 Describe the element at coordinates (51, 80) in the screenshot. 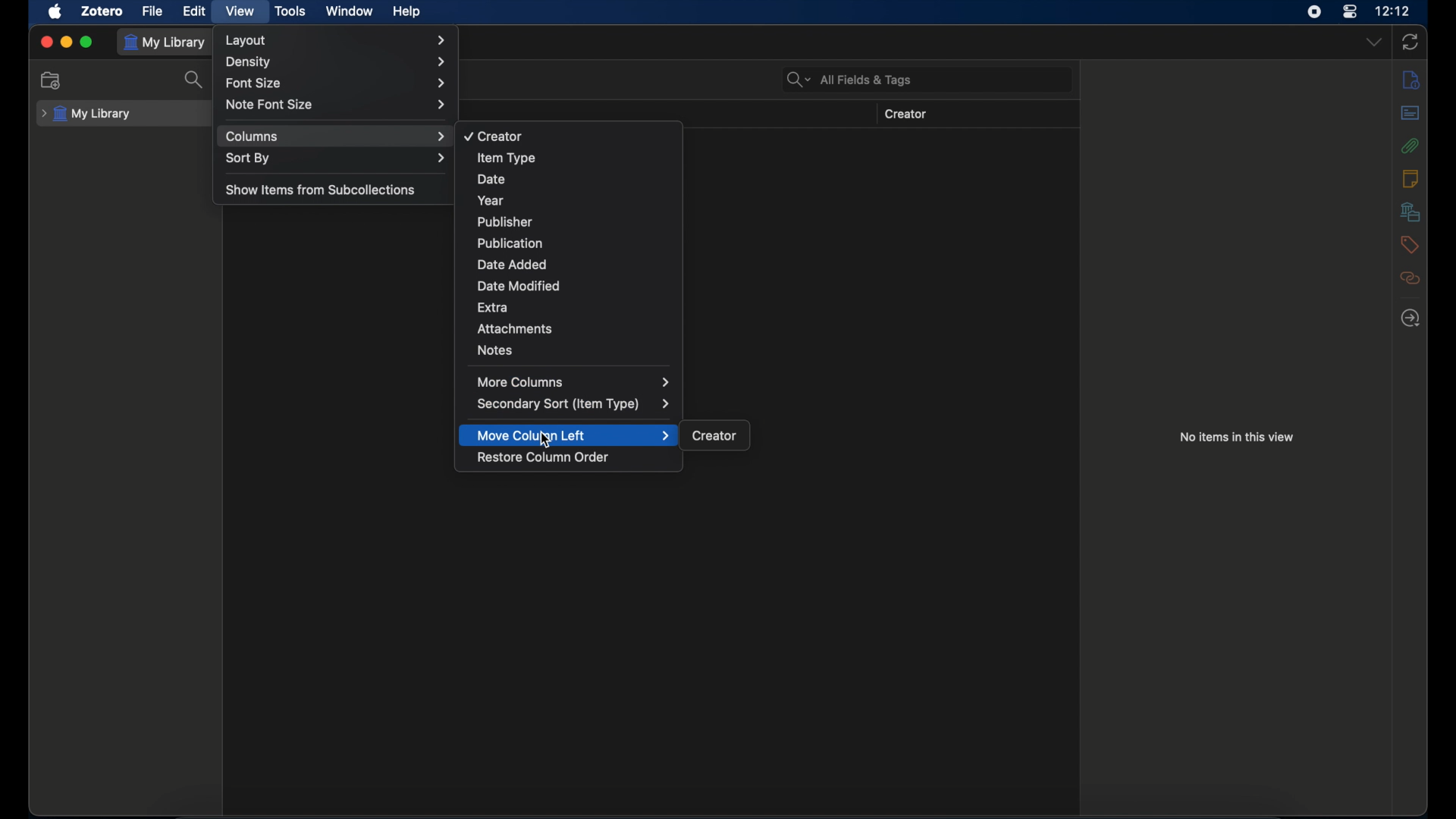

I see `new collection` at that location.